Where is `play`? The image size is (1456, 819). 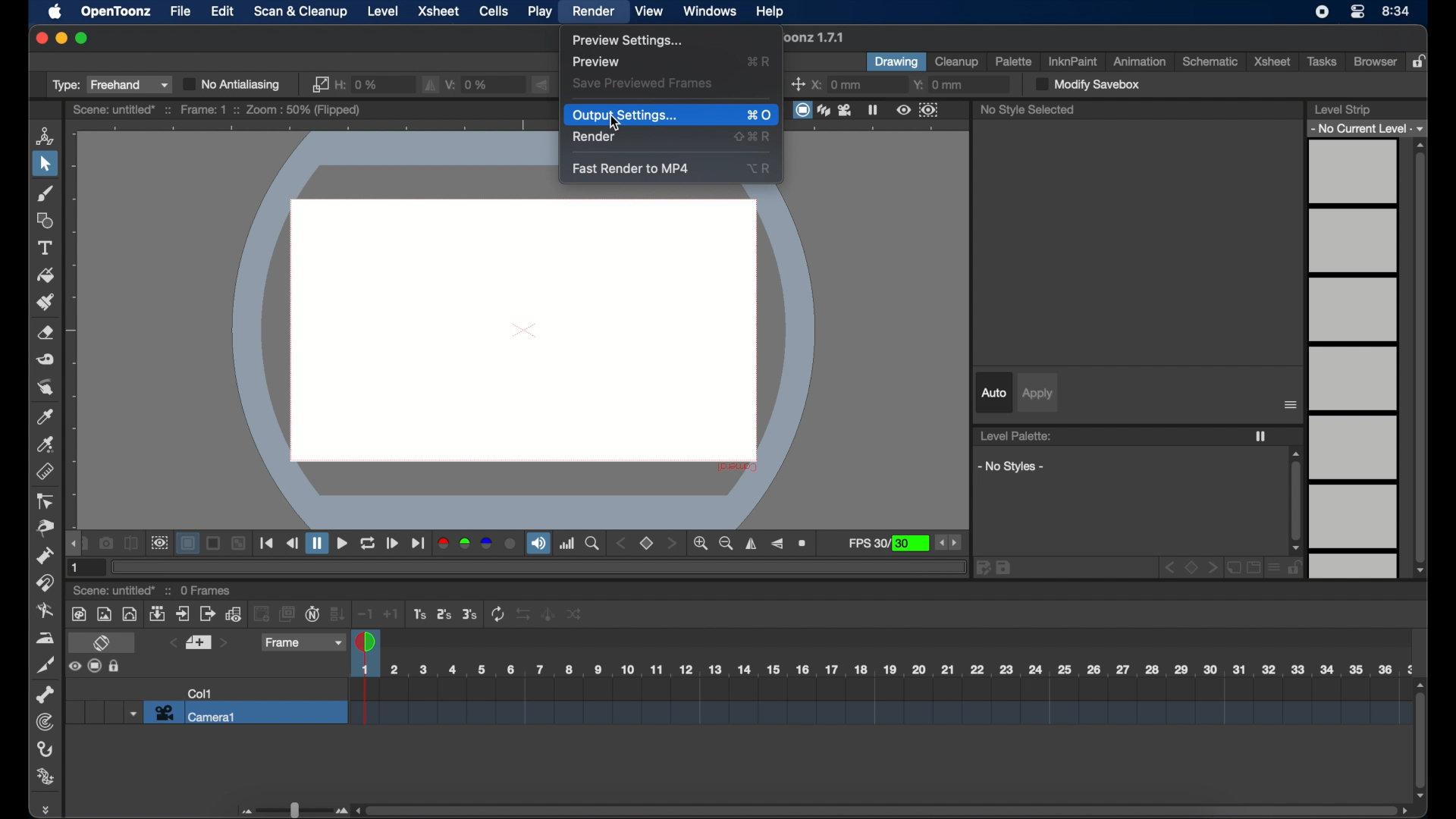 play is located at coordinates (541, 12).